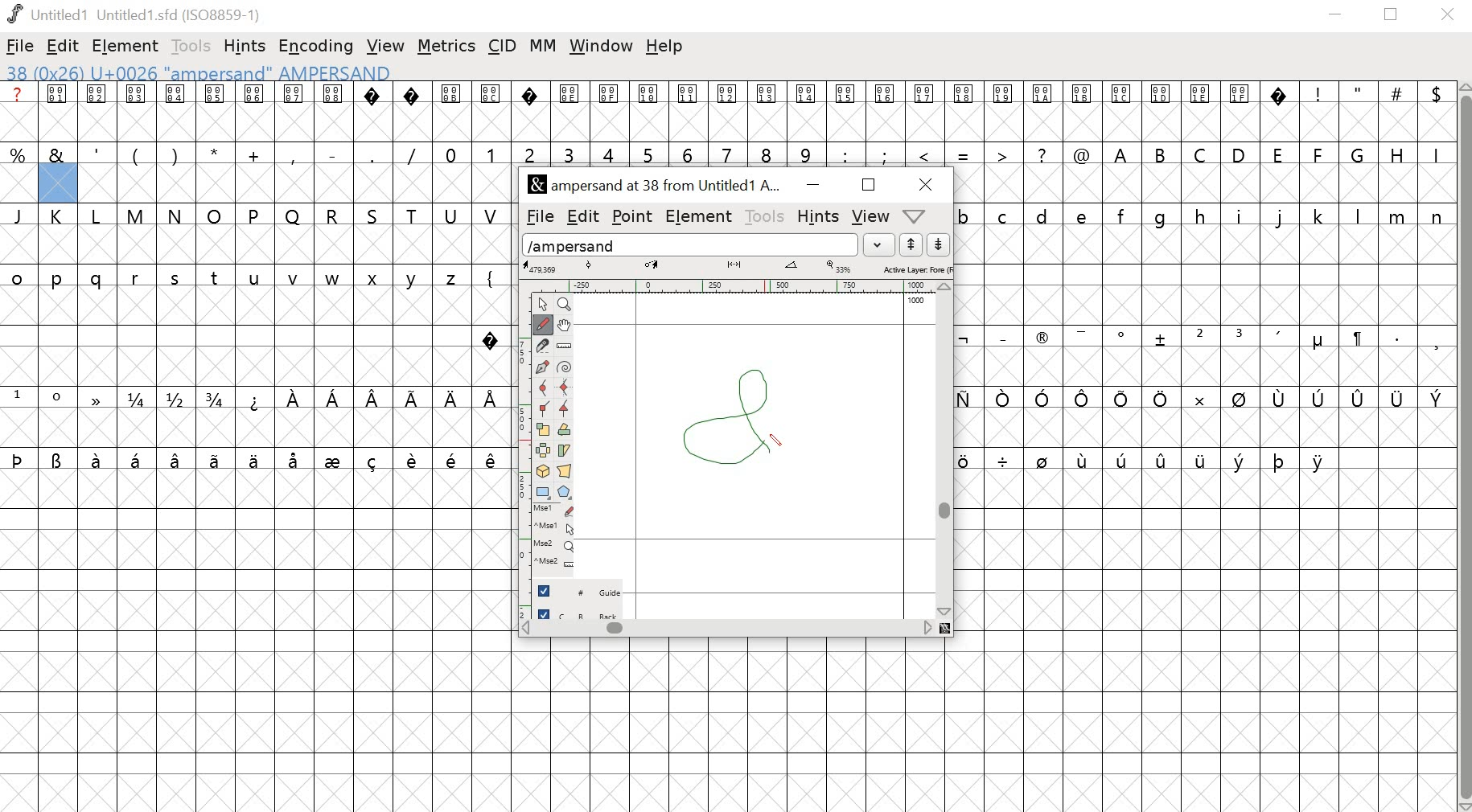 This screenshot has width=1472, height=812. What do you see at coordinates (491, 276) in the screenshot?
I see `{` at bounding box center [491, 276].